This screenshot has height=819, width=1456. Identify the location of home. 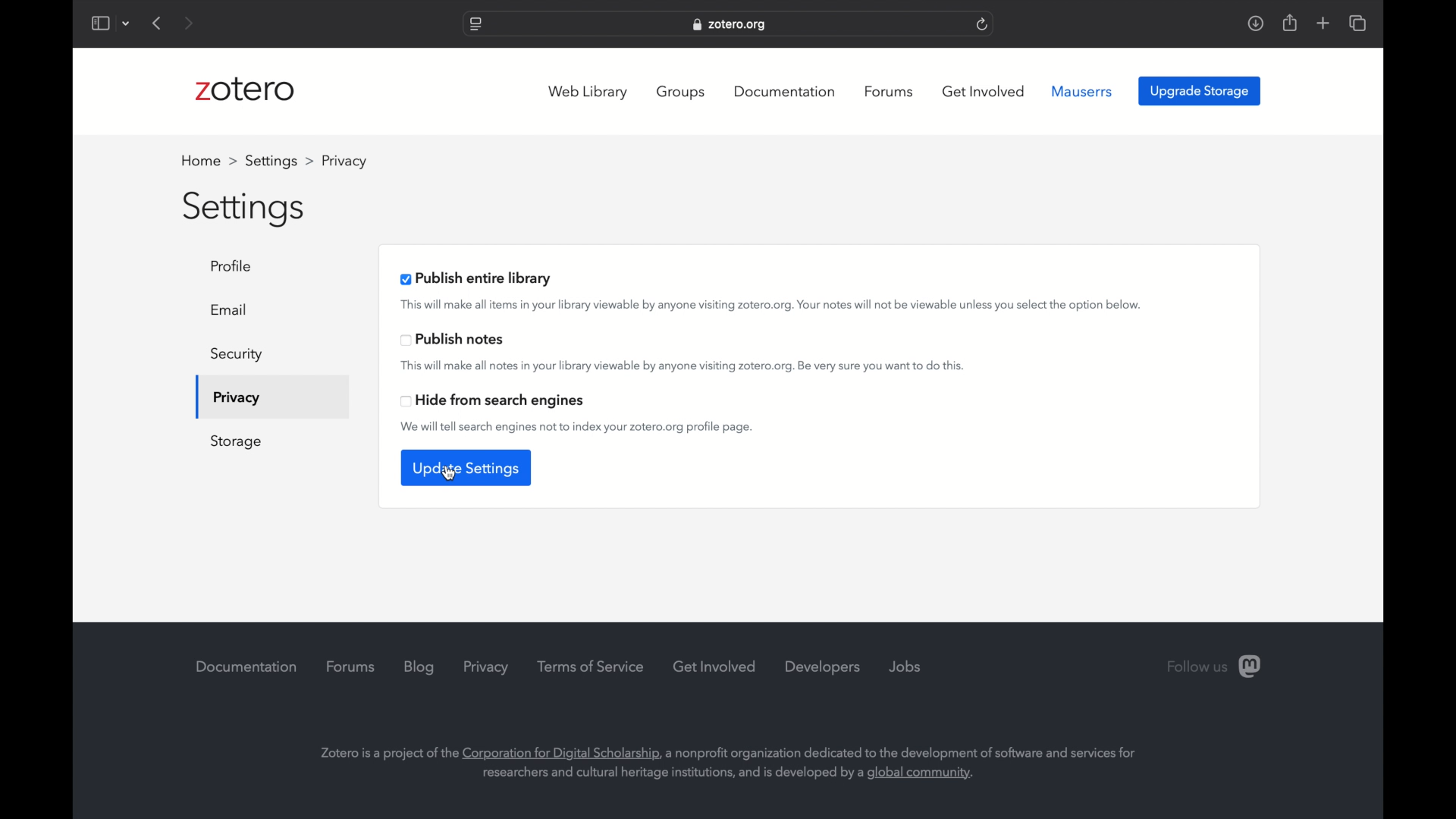
(209, 161).